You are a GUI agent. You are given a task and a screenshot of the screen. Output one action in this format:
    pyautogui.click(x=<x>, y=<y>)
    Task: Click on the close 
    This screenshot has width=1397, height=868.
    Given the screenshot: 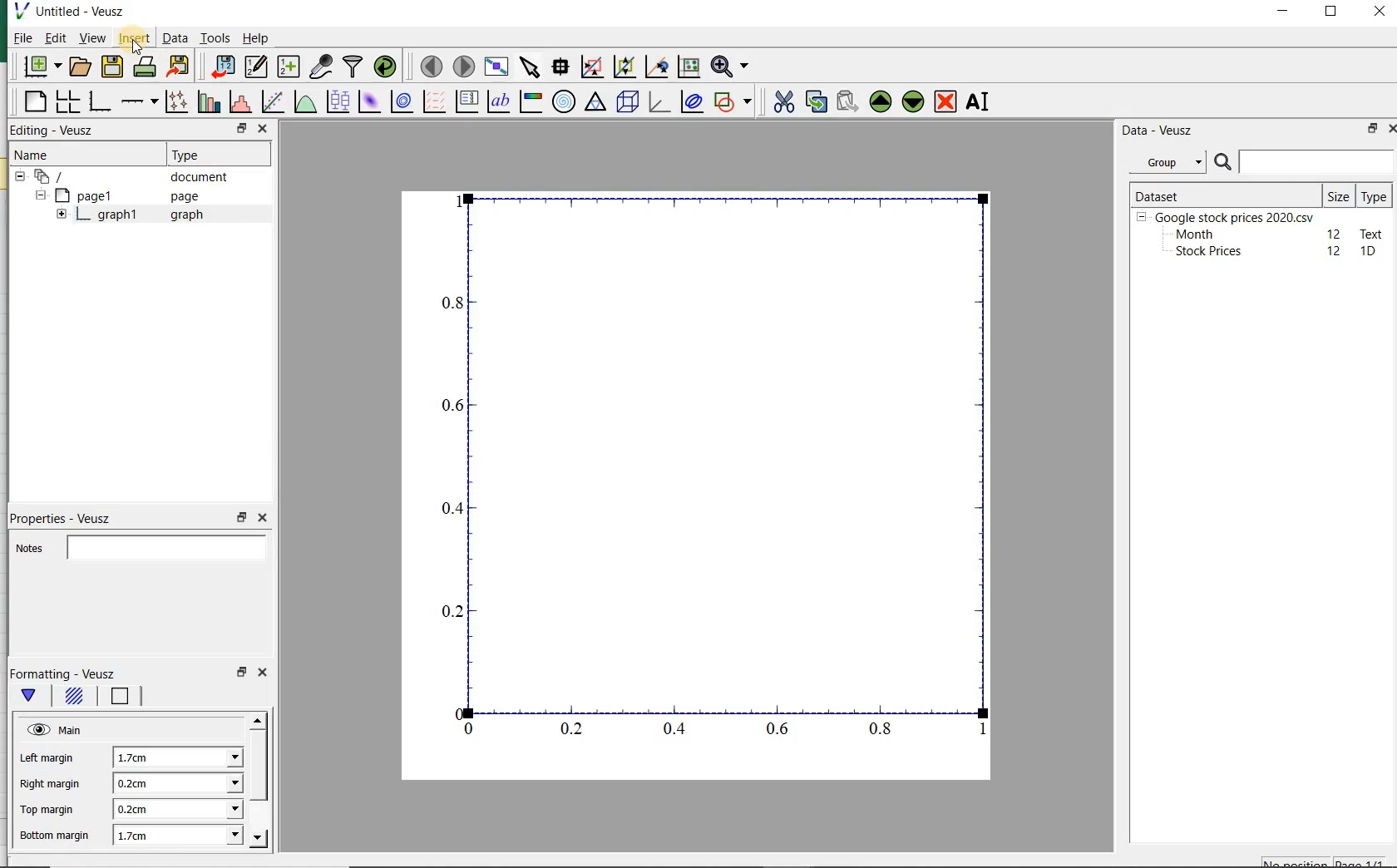 What is the action you would take?
    pyautogui.click(x=1396, y=129)
    